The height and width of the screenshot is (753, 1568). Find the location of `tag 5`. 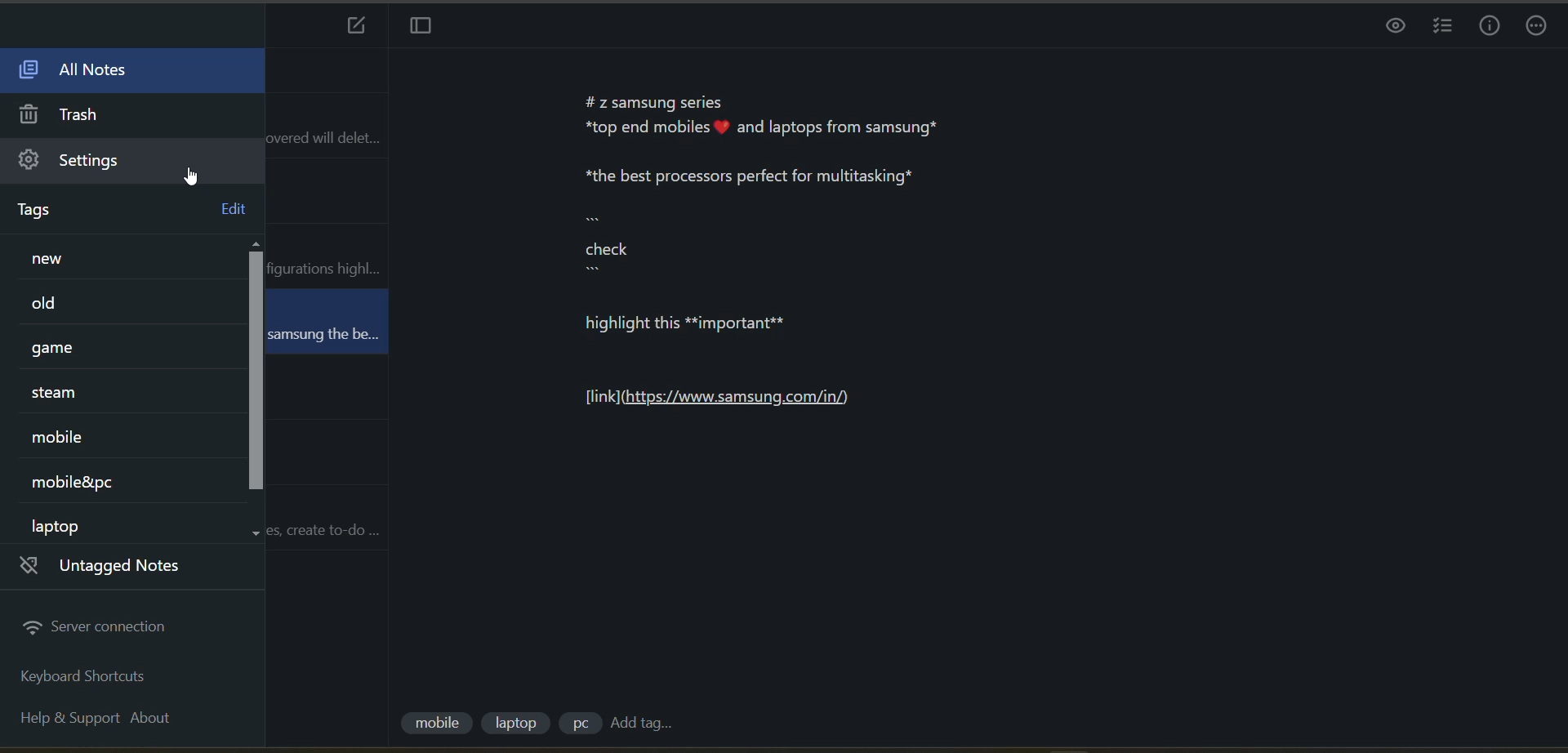

tag 5 is located at coordinates (71, 438).